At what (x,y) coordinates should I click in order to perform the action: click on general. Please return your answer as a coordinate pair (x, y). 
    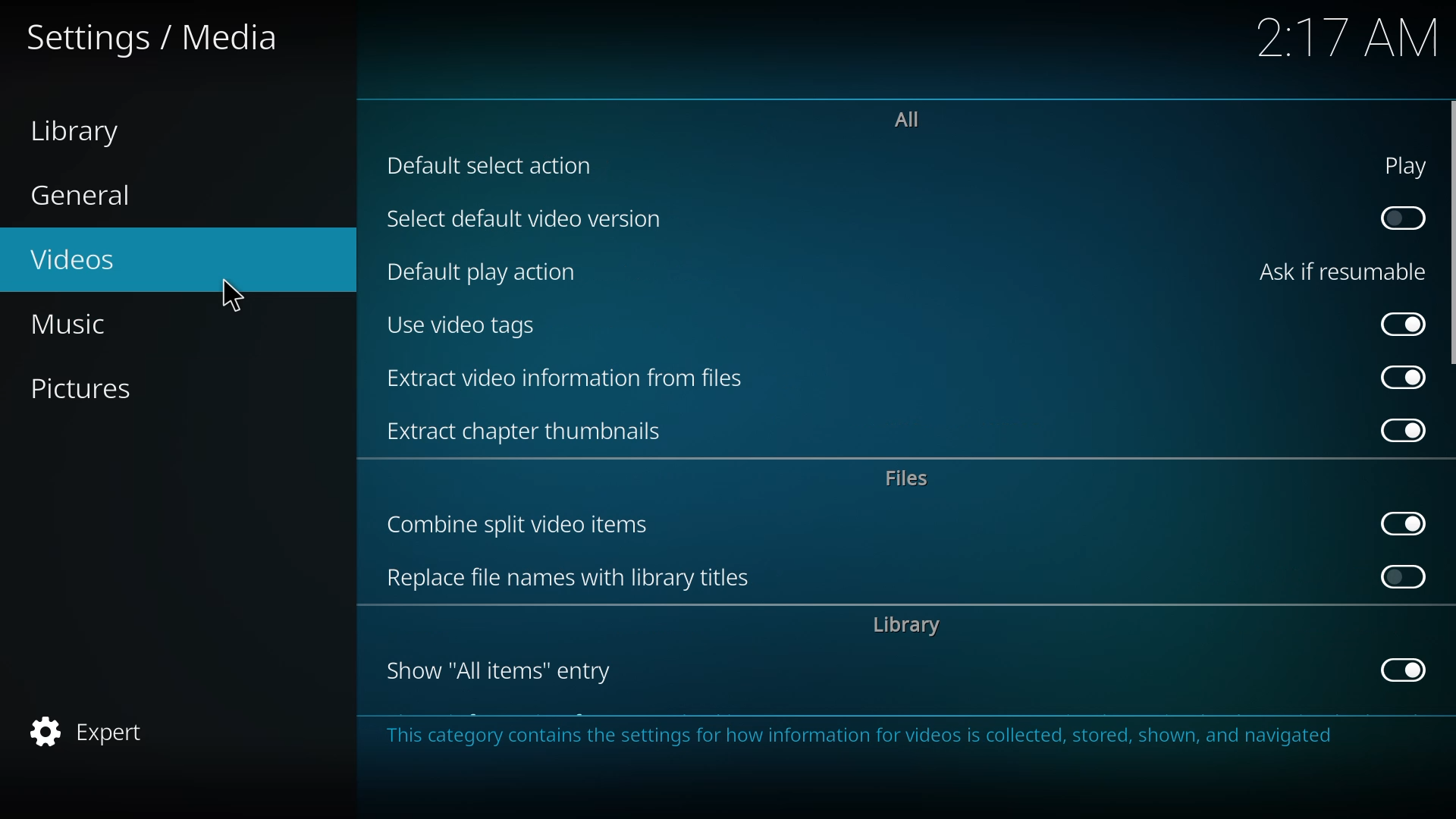
    Looking at the image, I should click on (85, 193).